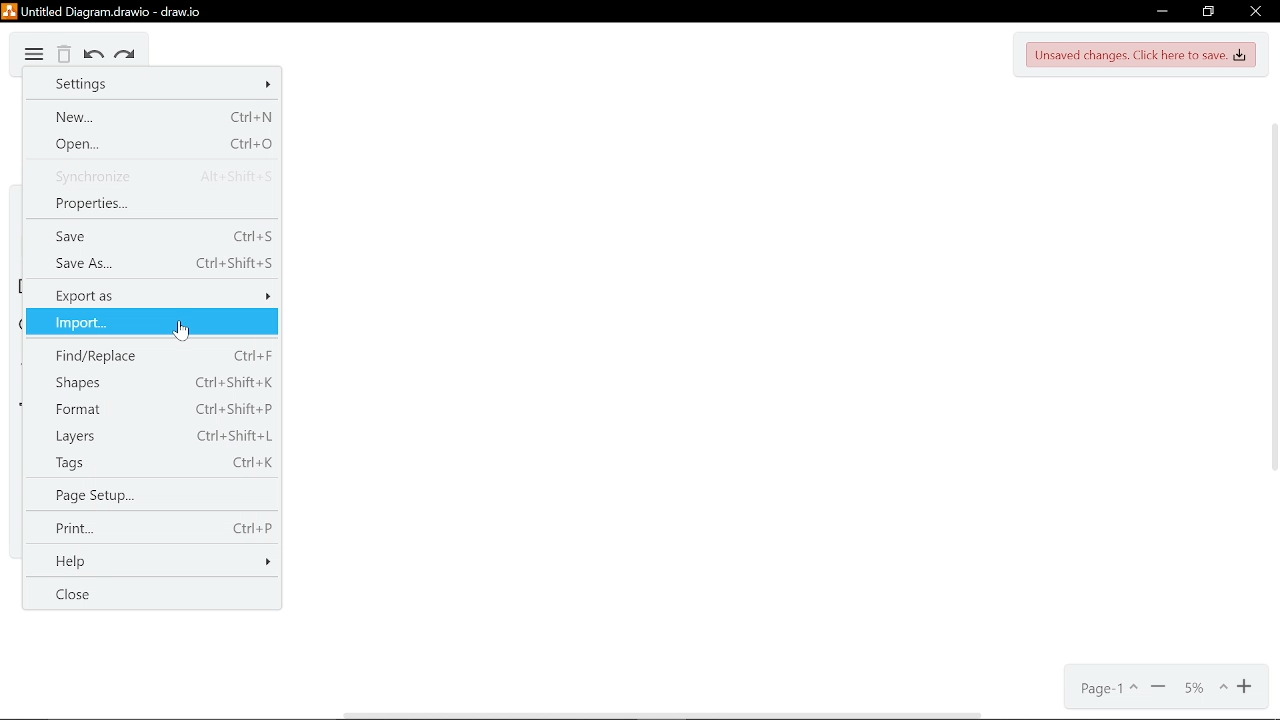 Image resolution: width=1280 pixels, height=720 pixels. I want to click on Minimize, so click(1166, 12).